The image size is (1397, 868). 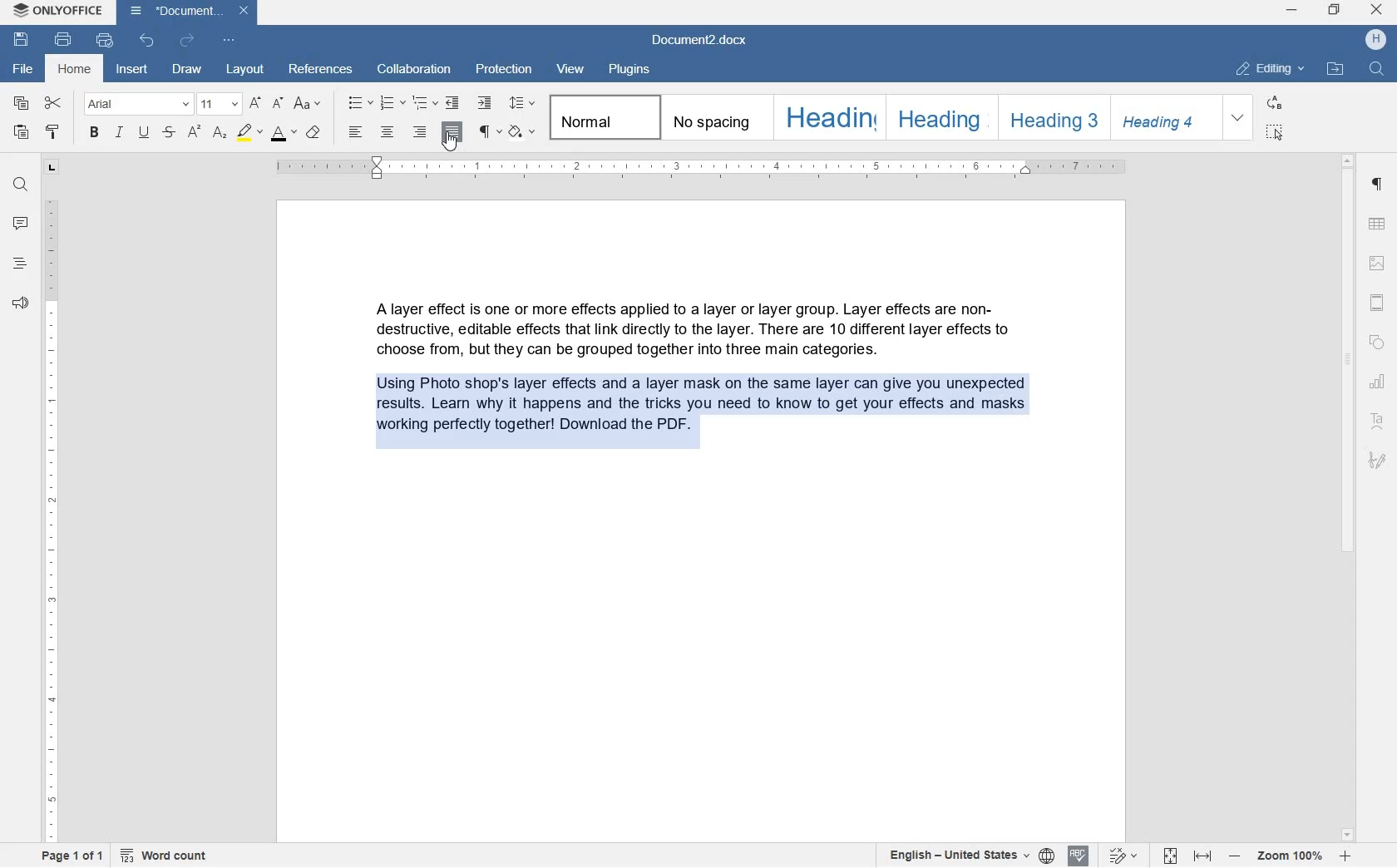 I want to click on WORD COUNT, so click(x=165, y=856).